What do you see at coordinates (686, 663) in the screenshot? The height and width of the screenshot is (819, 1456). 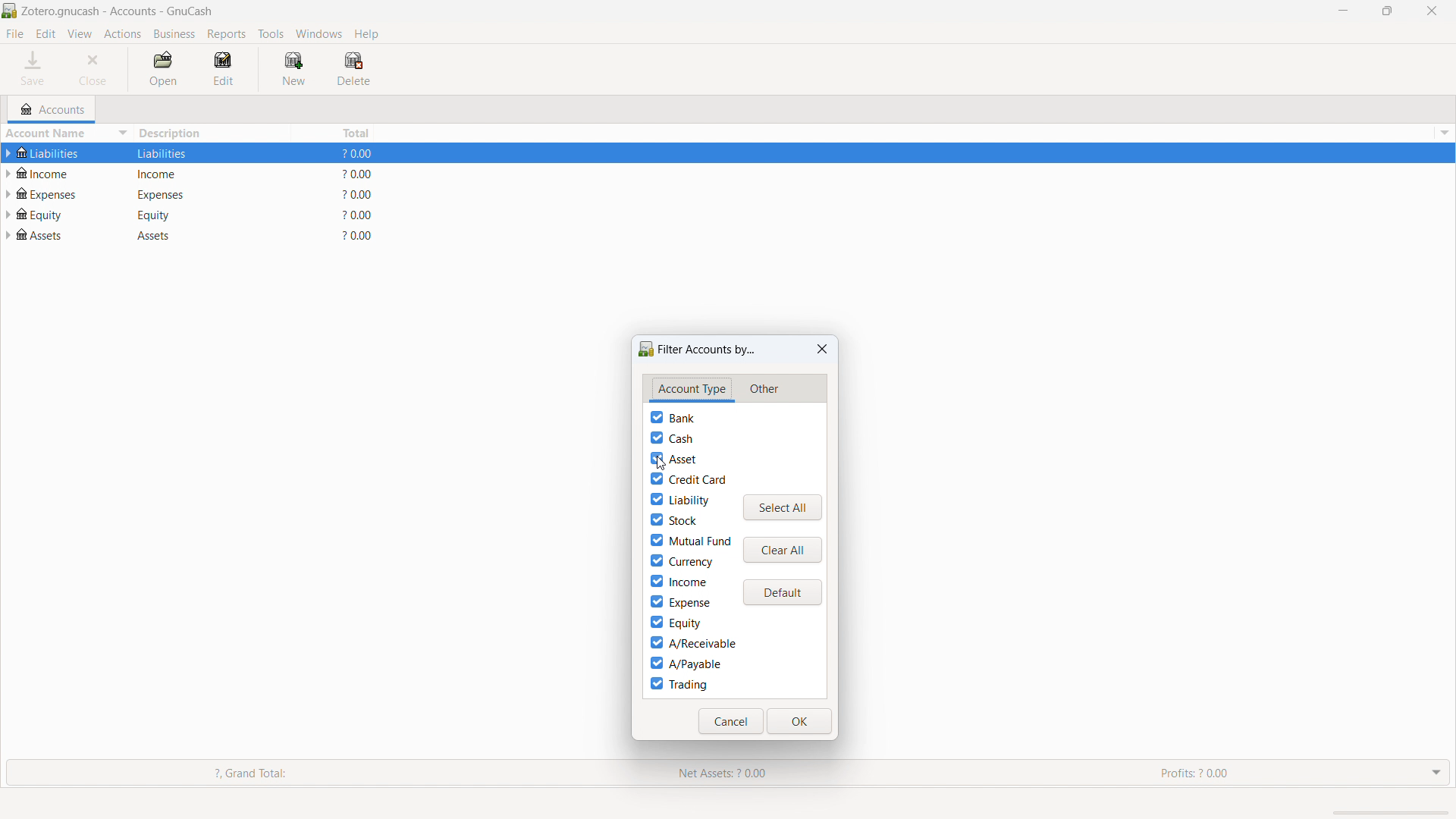 I see `A/payable` at bounding box center [686, 663].